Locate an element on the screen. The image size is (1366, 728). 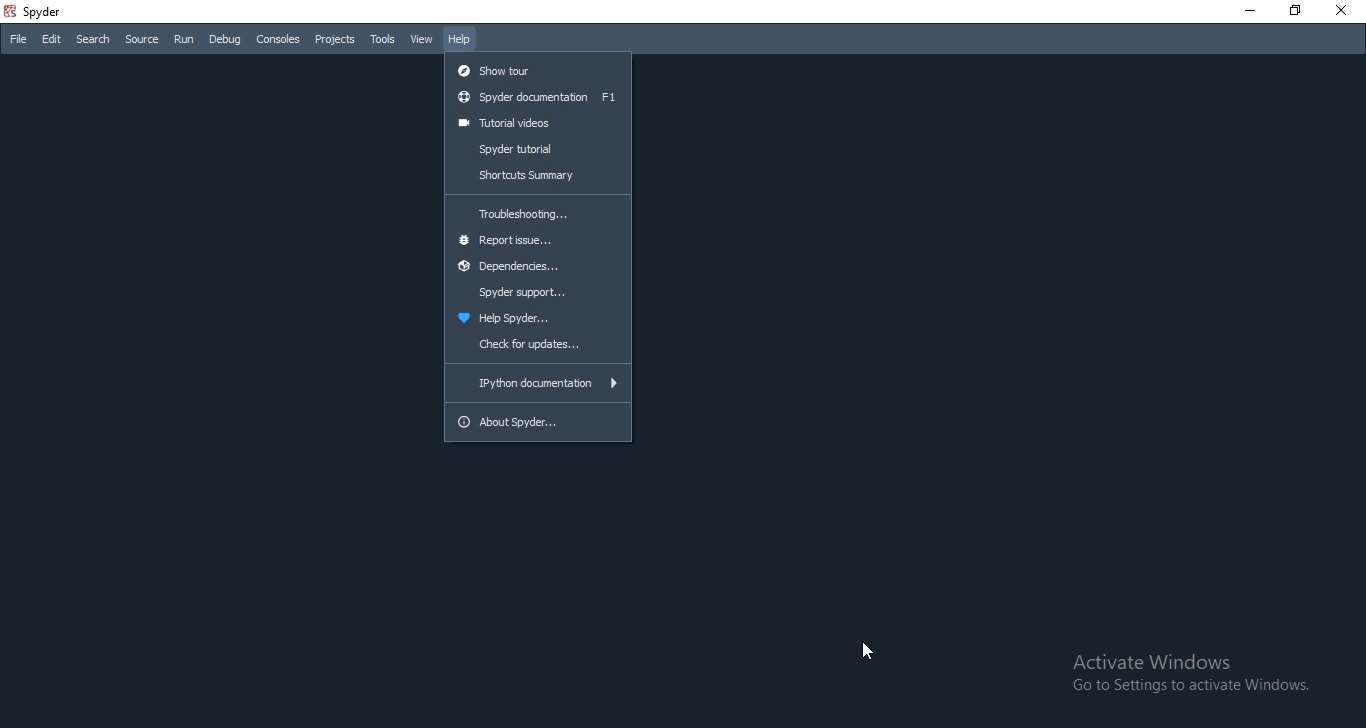
Troubleshooting is located at coordinates (538, 210).